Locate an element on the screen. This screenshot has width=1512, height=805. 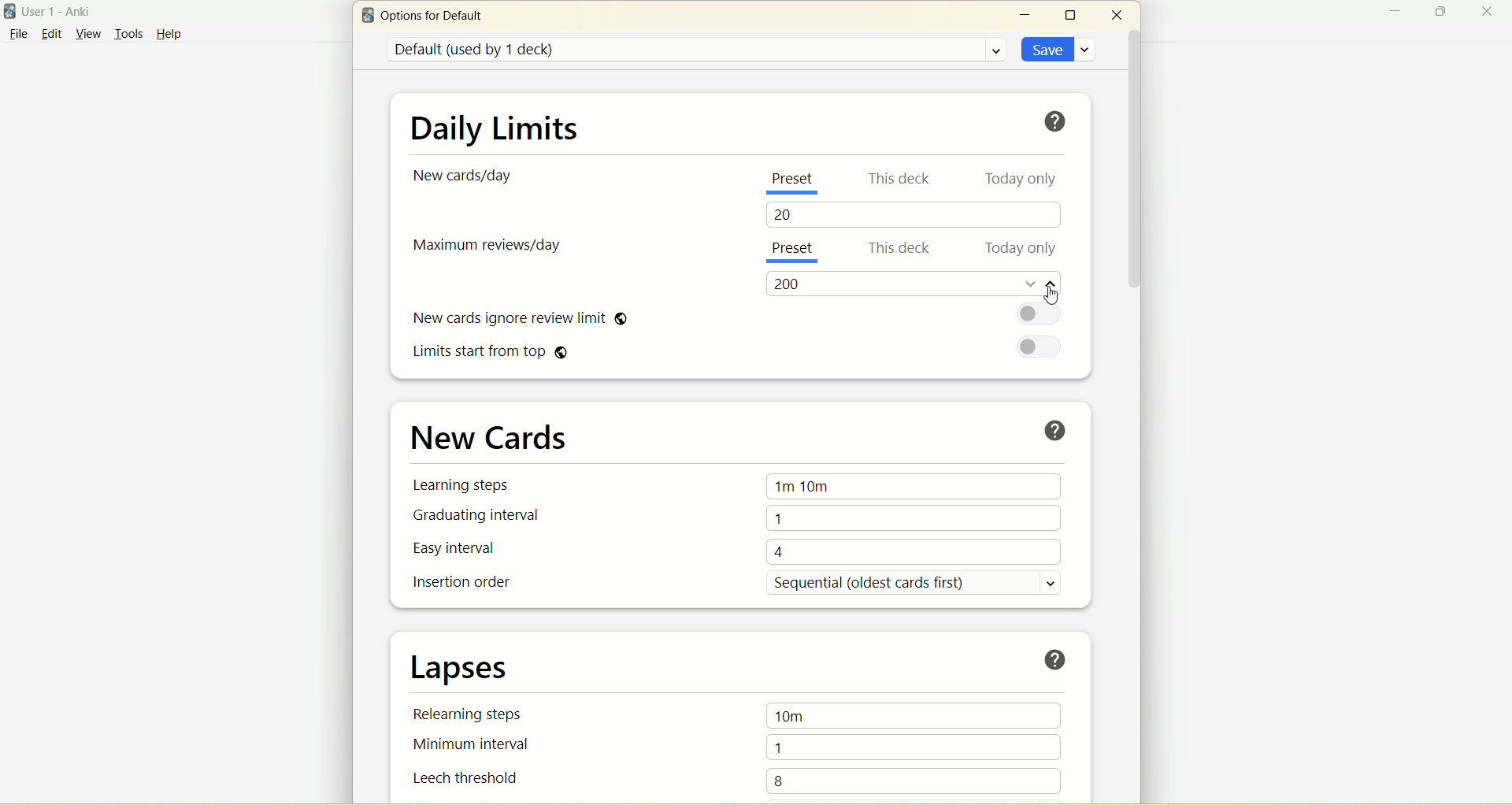
today only is located at coordinates (1018, 250).